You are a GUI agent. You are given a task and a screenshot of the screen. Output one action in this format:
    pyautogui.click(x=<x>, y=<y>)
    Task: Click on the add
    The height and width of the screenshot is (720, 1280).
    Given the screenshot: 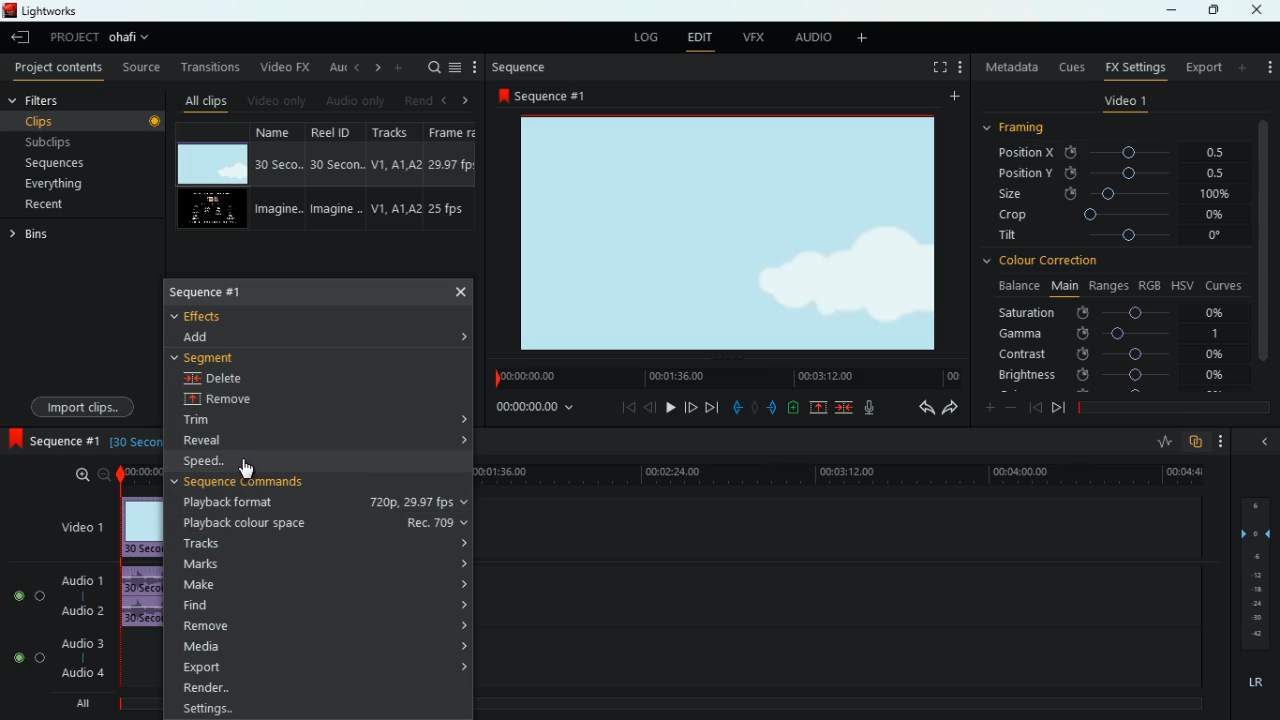 What is the action you would take?
    pyautogui.click(x=1269, y=66)
    